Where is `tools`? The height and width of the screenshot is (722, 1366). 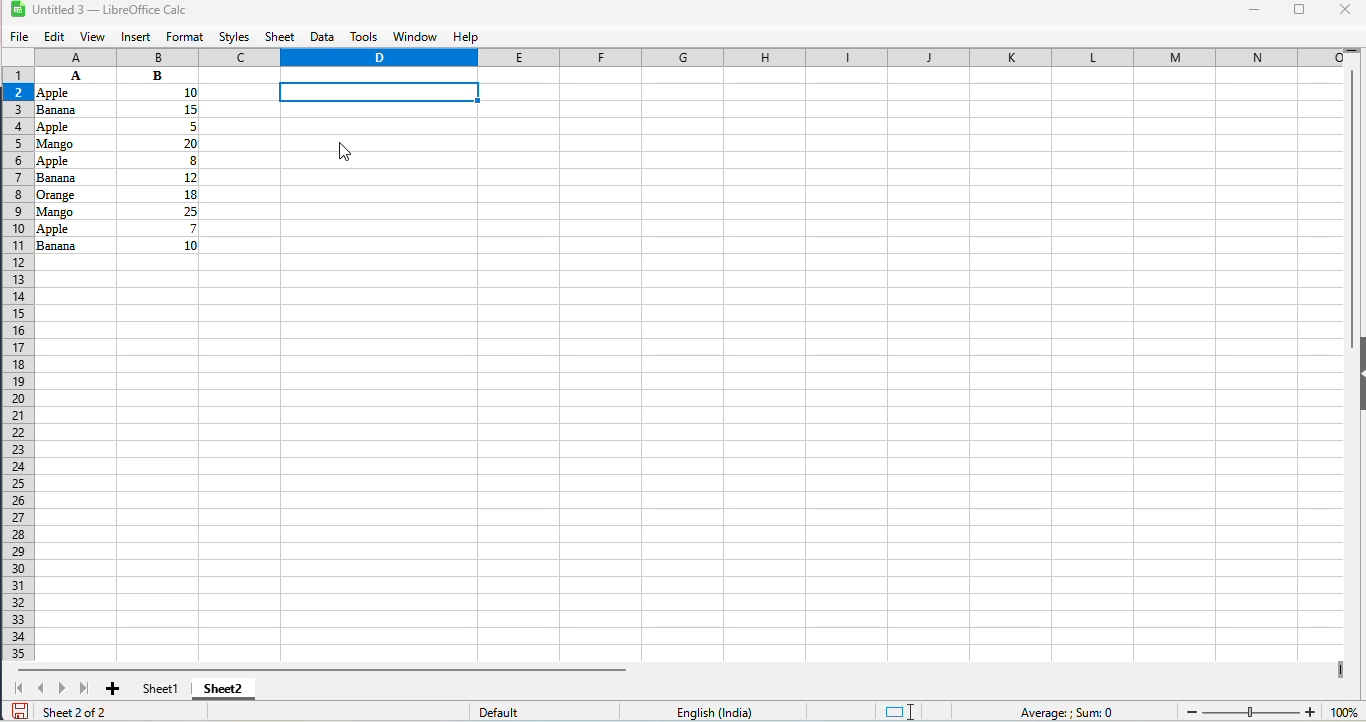 tools is located at coordinates (364, 37).